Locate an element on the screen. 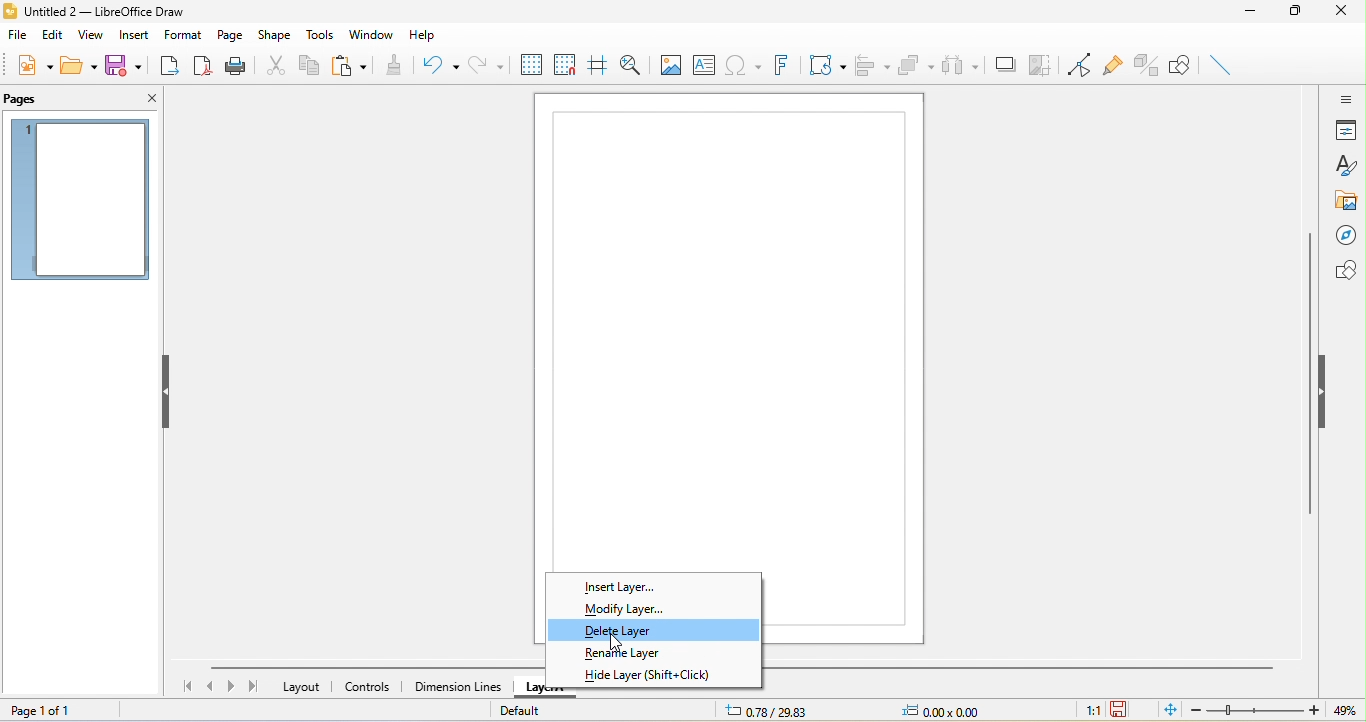 Image resolution: width=1366 pixels, height=722 pixels. transformation is located at coordinates (823, 67).